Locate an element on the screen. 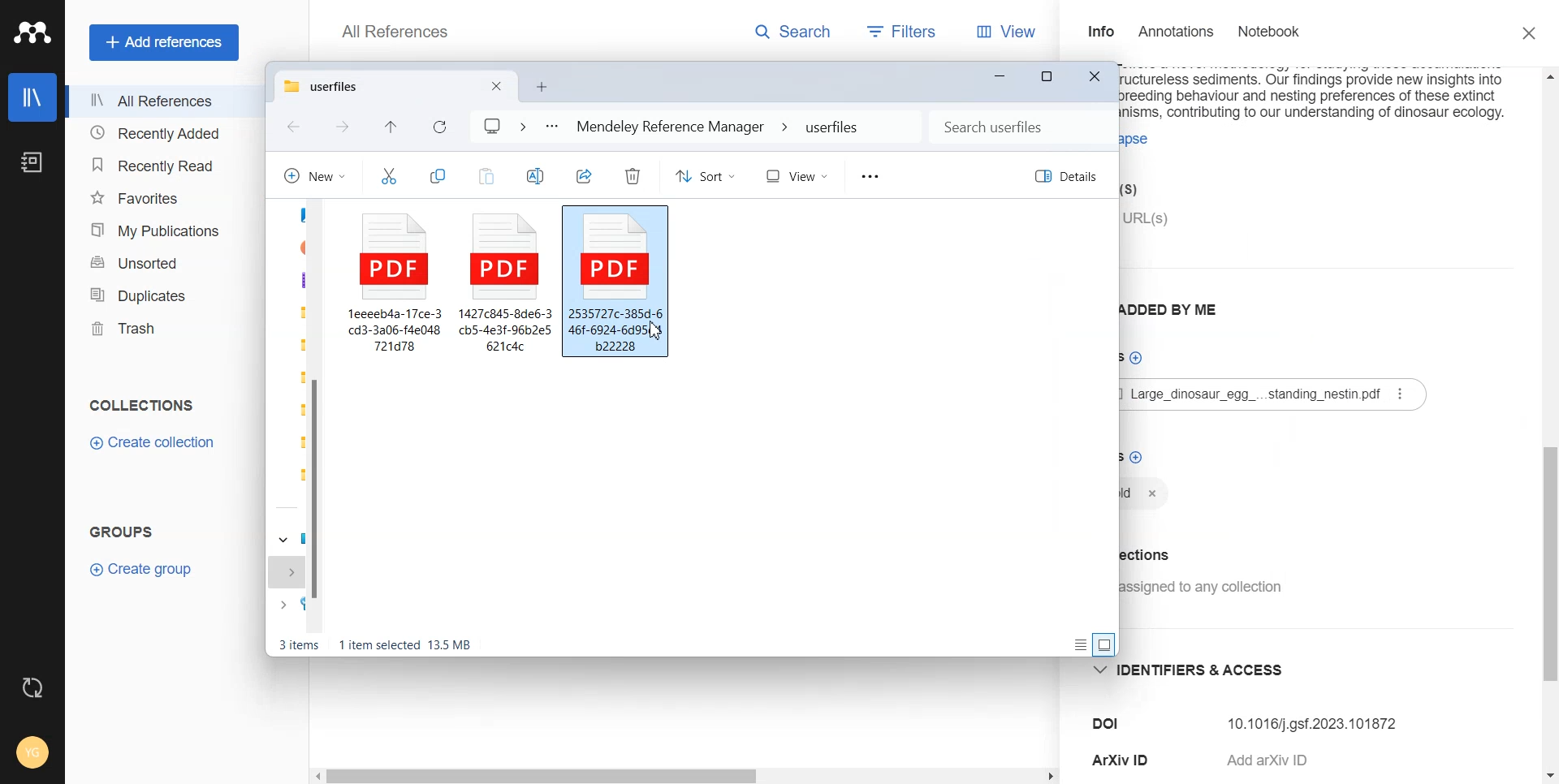 Image resolution: width=1559 pixels, height=784 pixels. View is located at coordinates (797, 177).